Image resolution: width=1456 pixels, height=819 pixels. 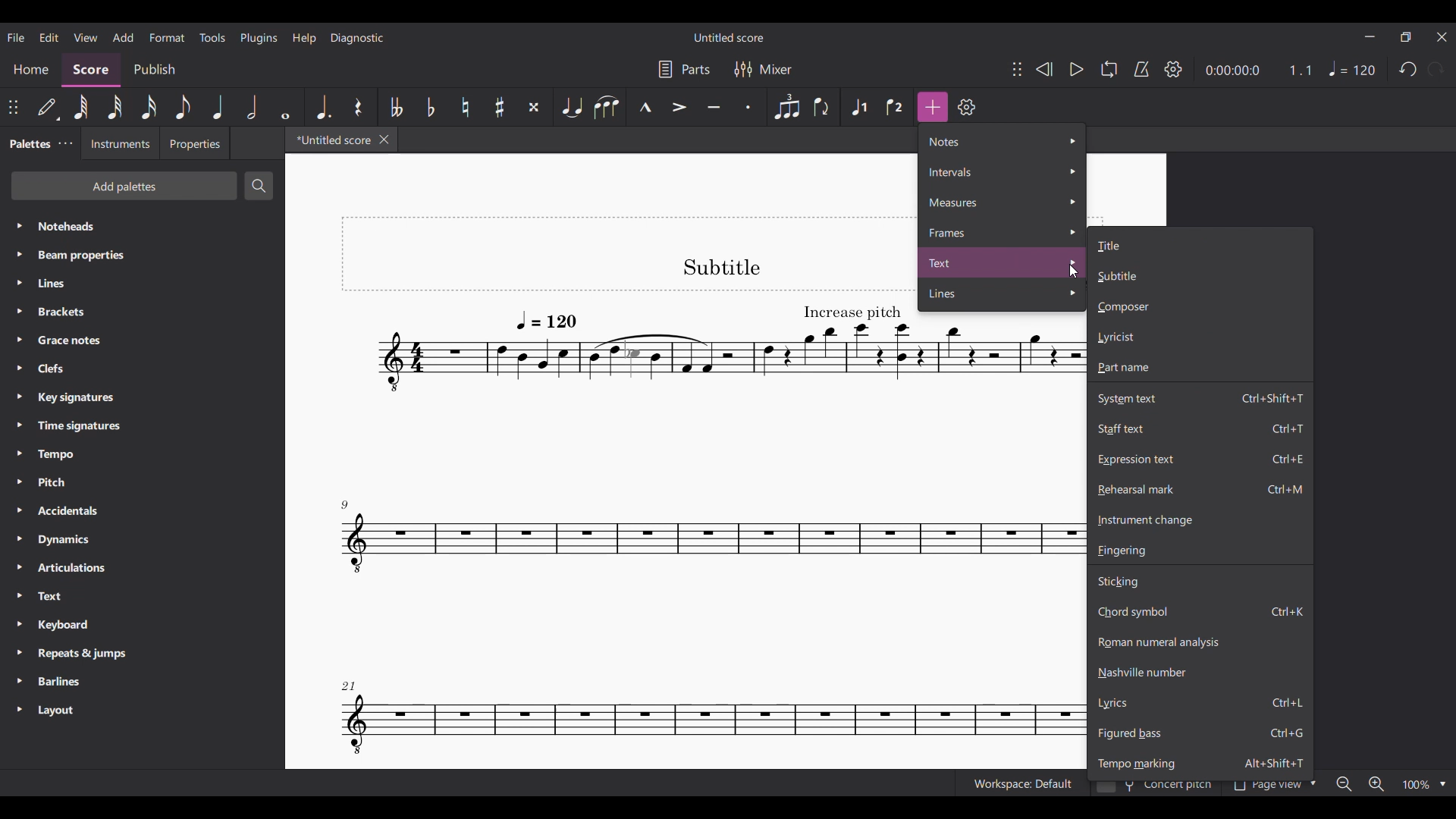 What do you see at coordinates (304, 39) in the screenshot?
I see `Help menu` at bounding box center [304, 39].